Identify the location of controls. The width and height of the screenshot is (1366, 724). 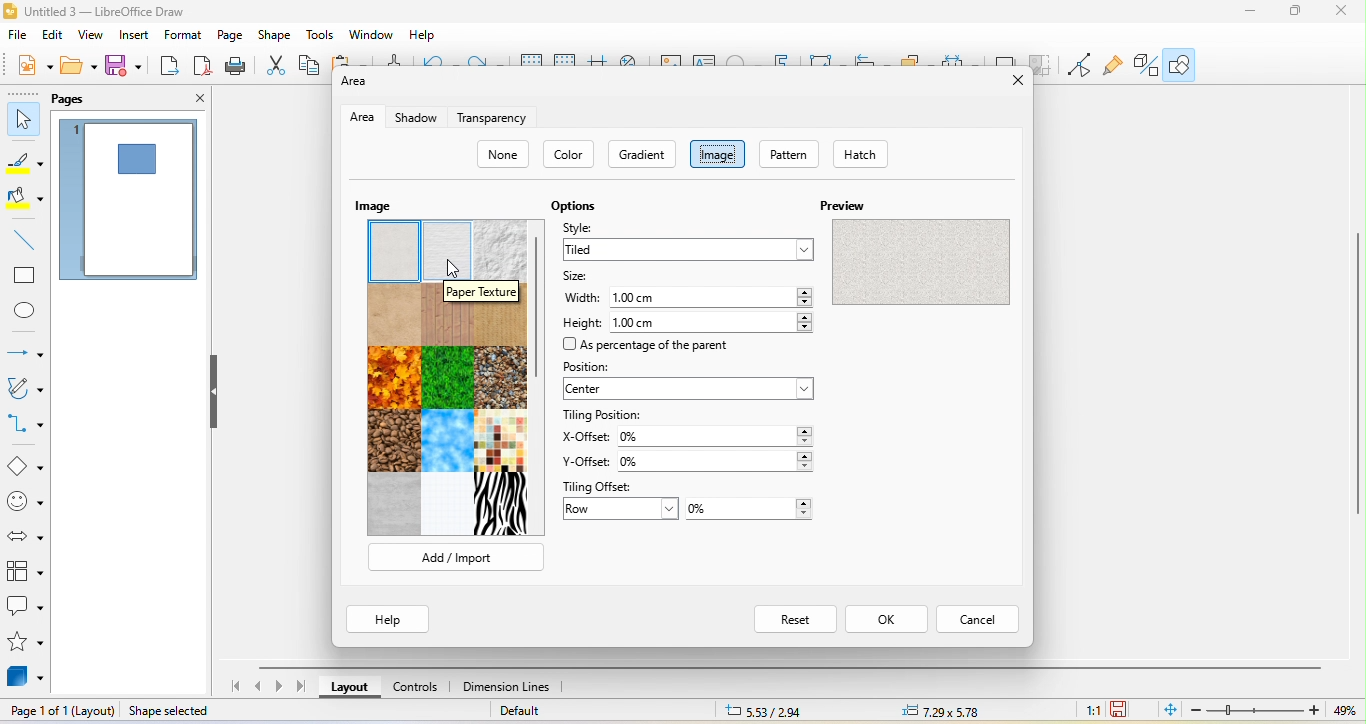
(422, 689).